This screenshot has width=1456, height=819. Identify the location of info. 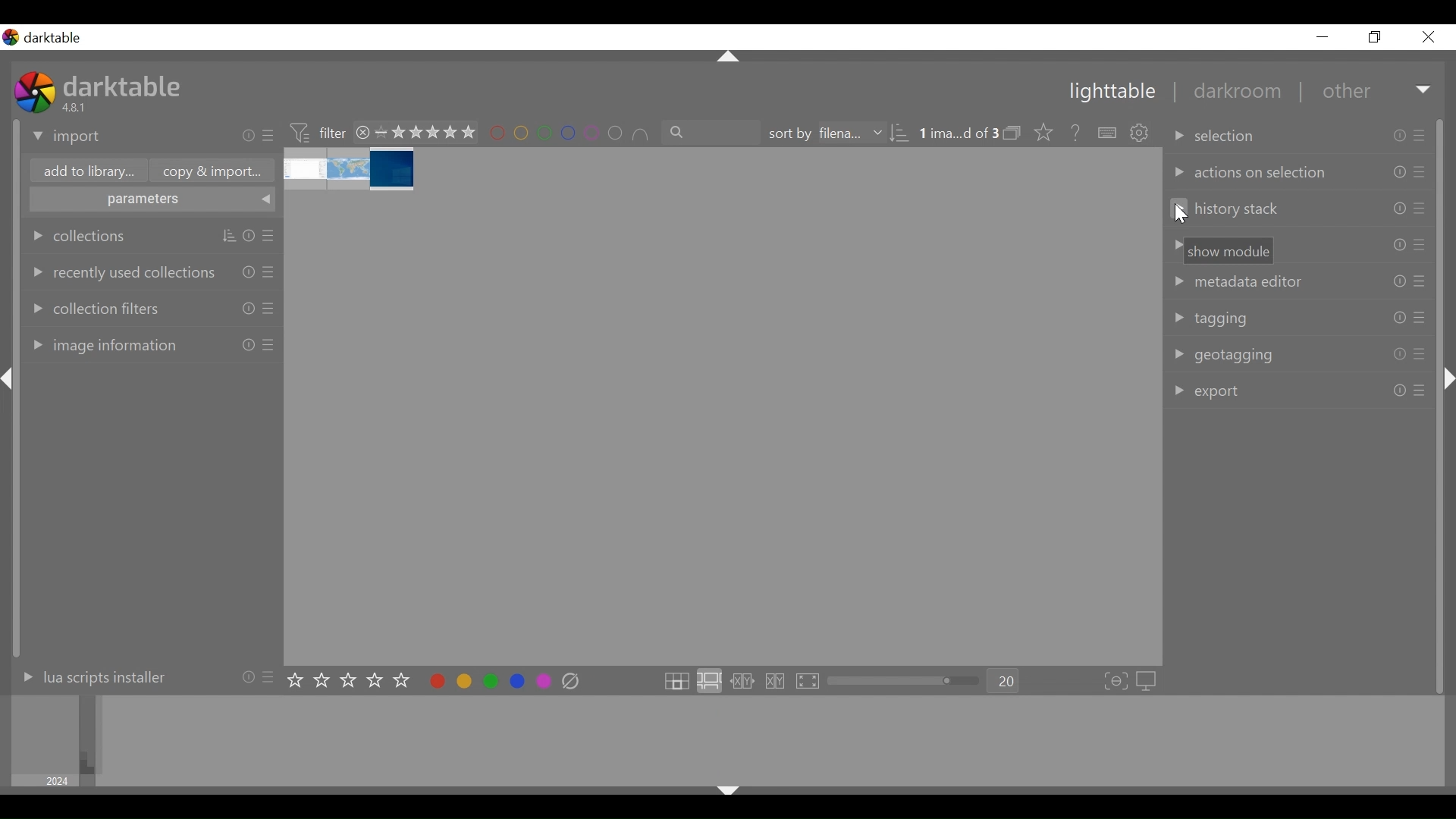
(1398, 318).